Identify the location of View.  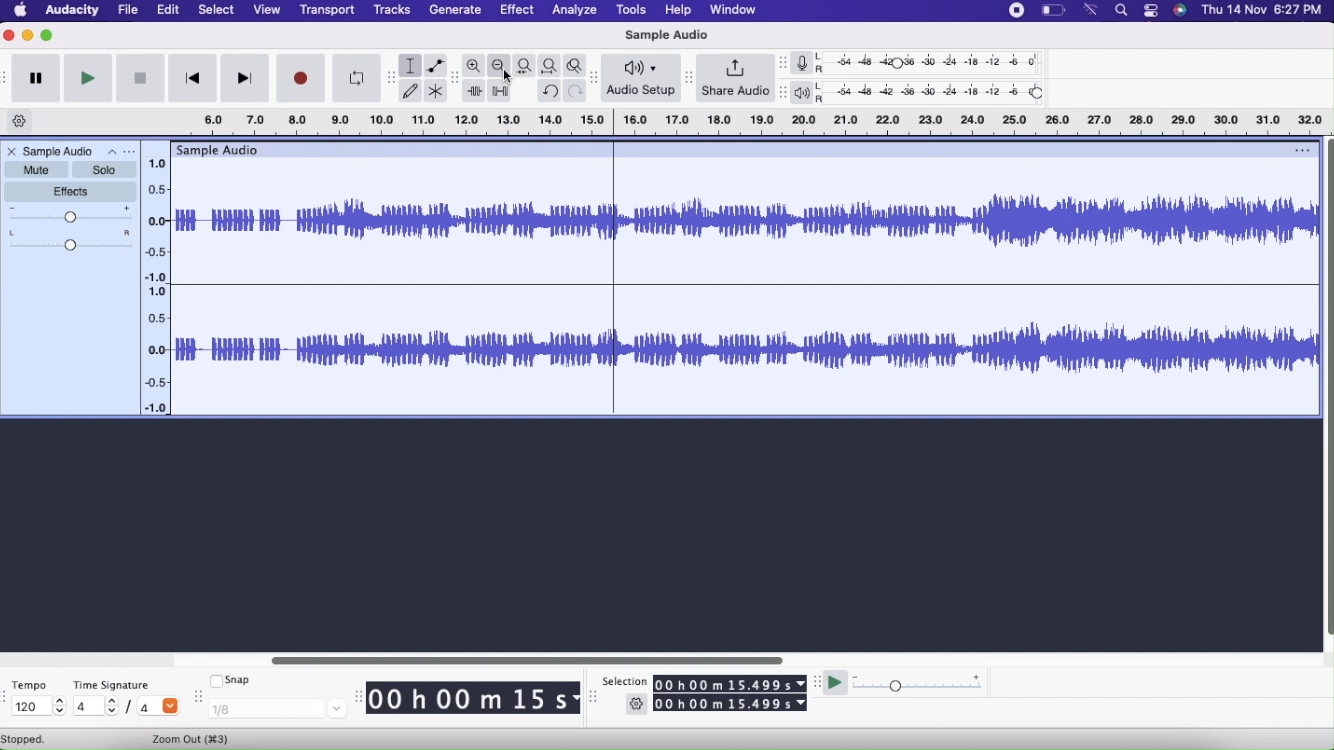
(269, 11).